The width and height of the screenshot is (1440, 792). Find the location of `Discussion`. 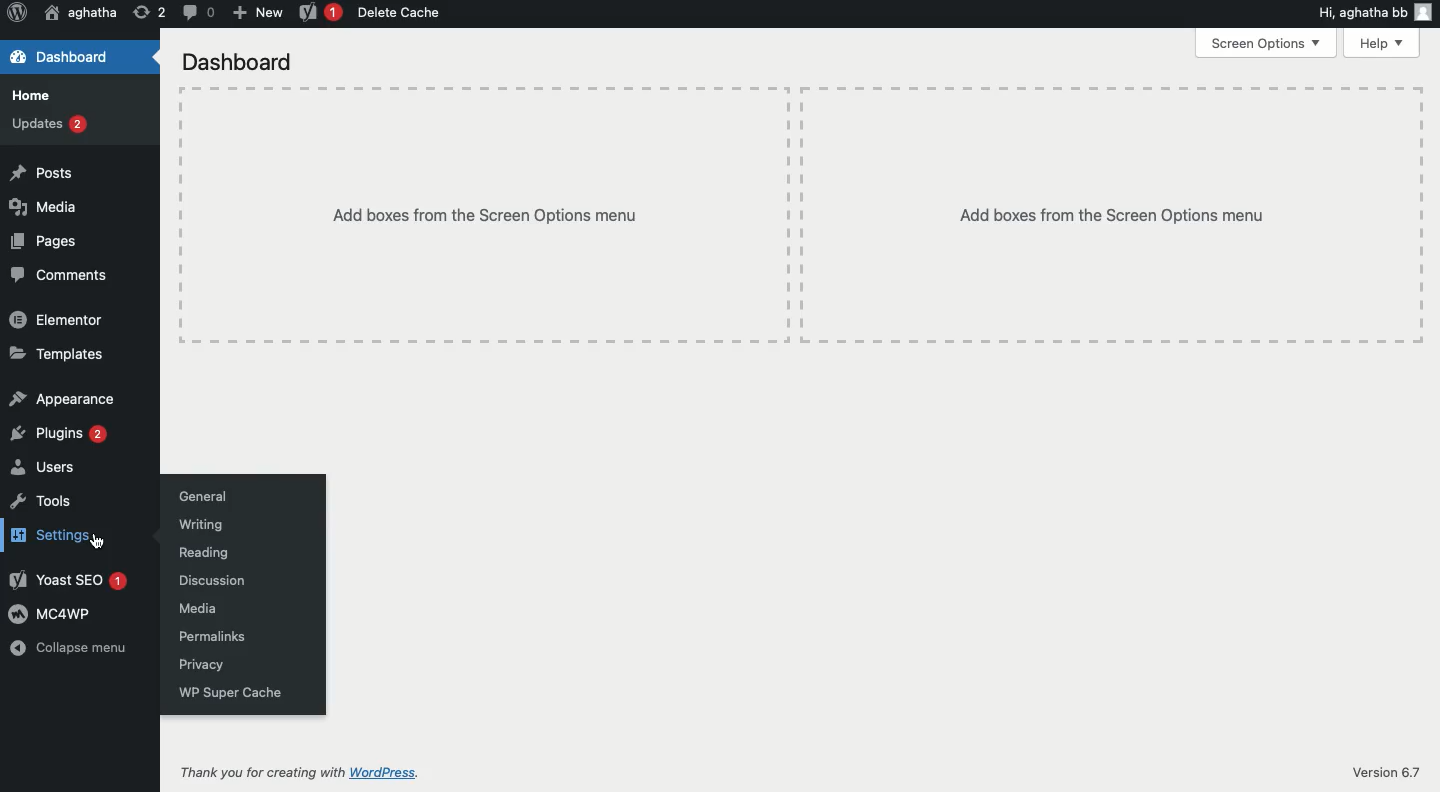

Discussion is located at coordinates (210, 582).